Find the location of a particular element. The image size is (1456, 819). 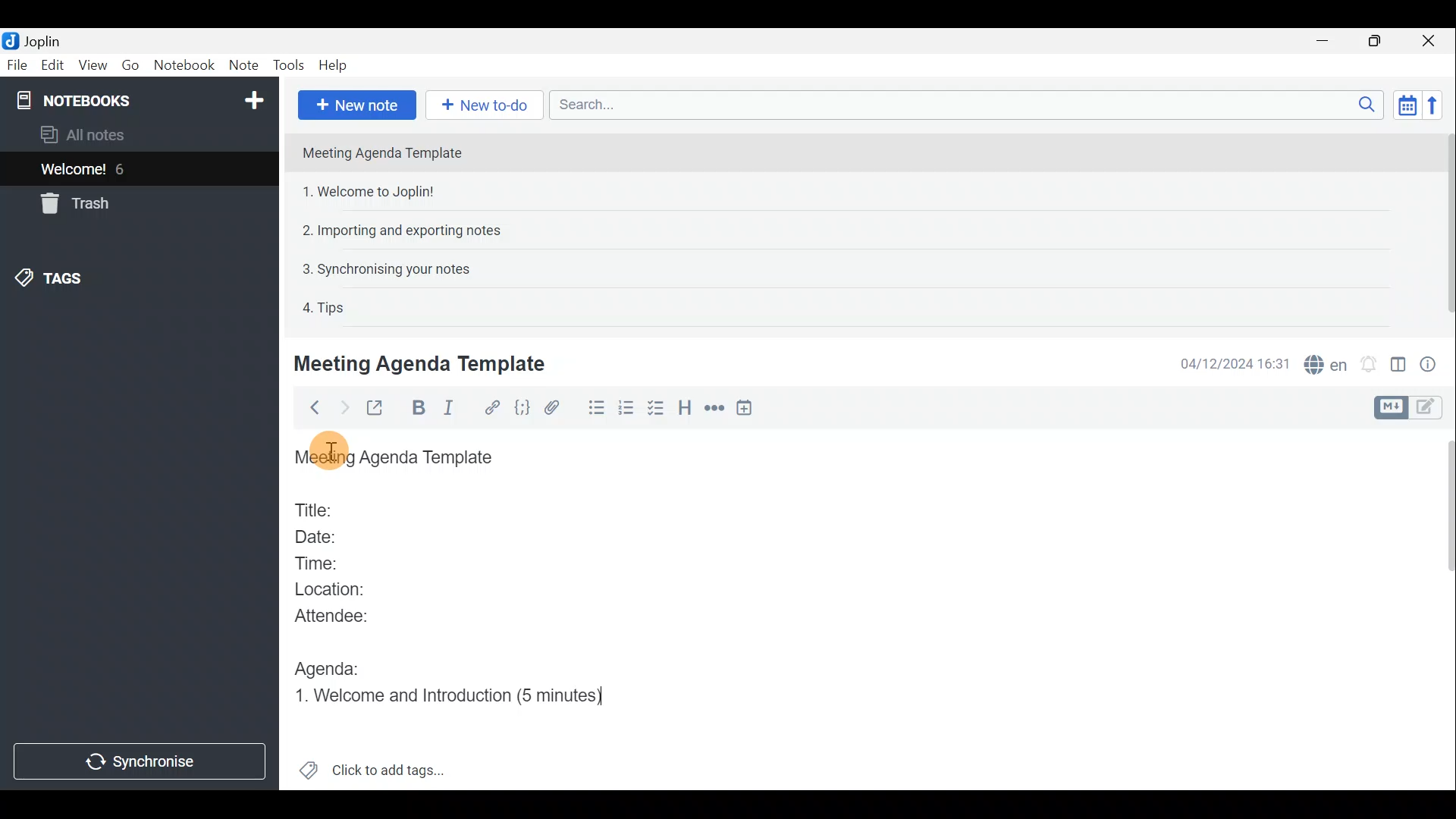

Joplin is located at coordinates (42, 40).